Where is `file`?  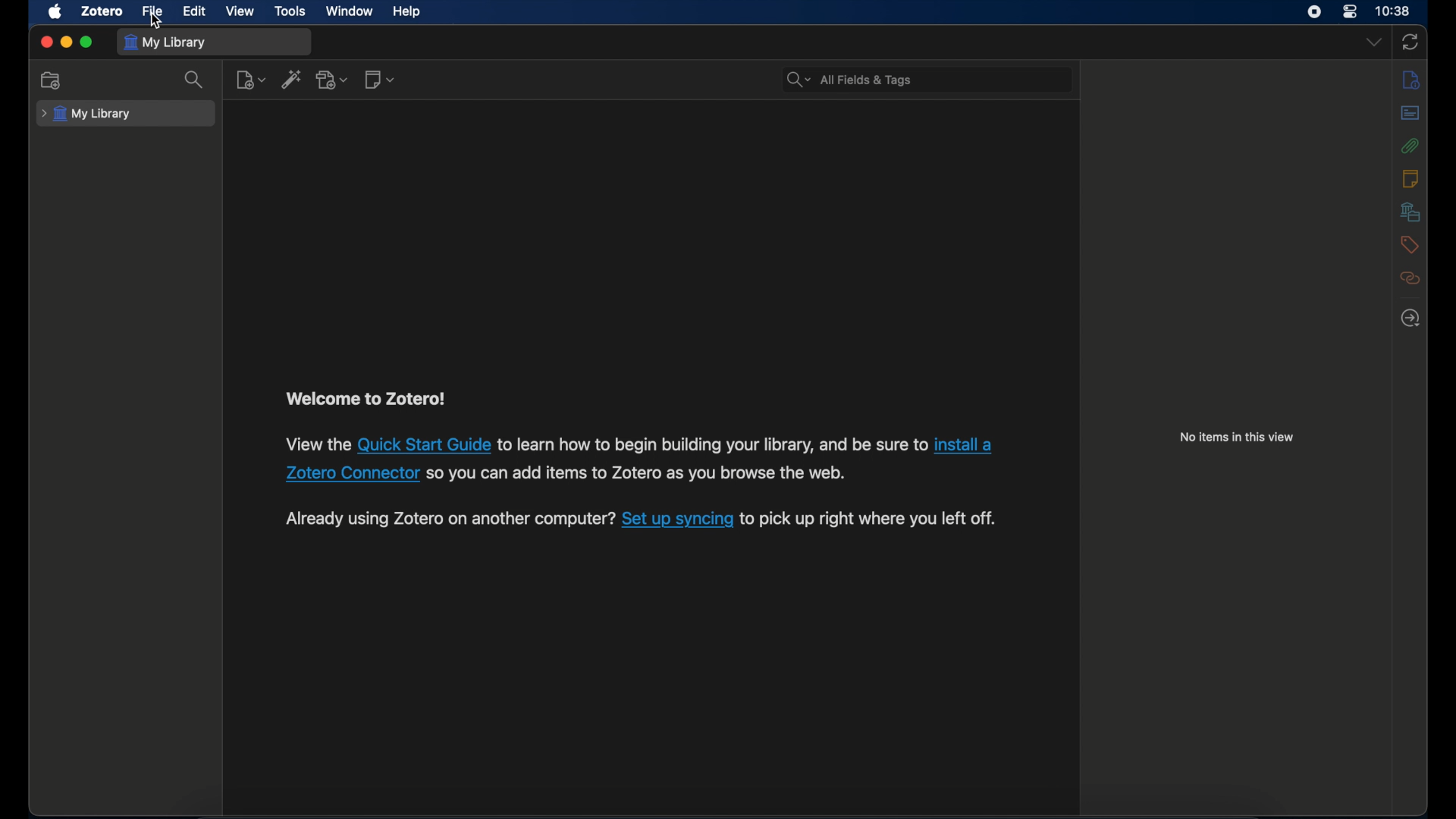 file is located at coordinates (153, 12).